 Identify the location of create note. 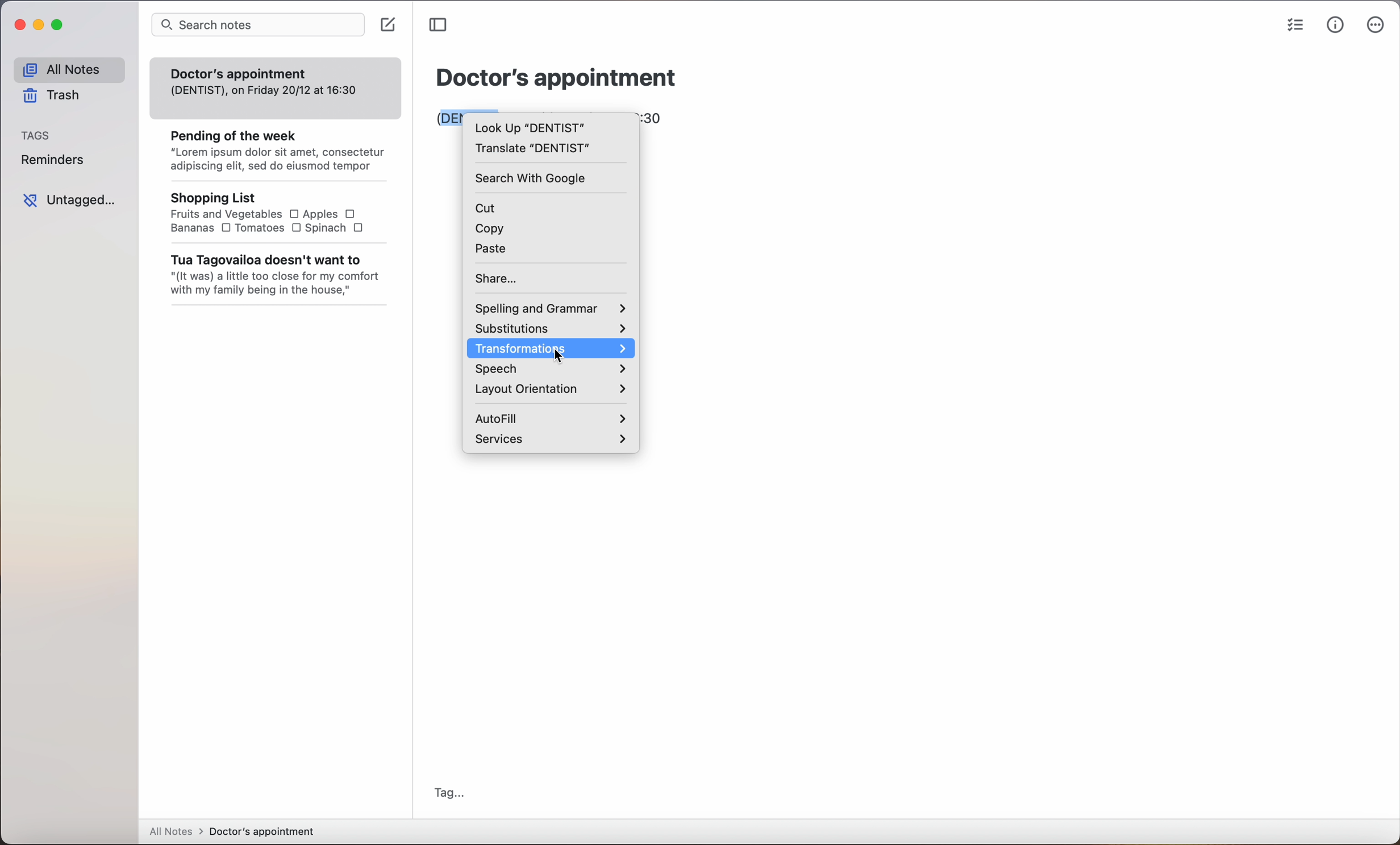
(391, 26).